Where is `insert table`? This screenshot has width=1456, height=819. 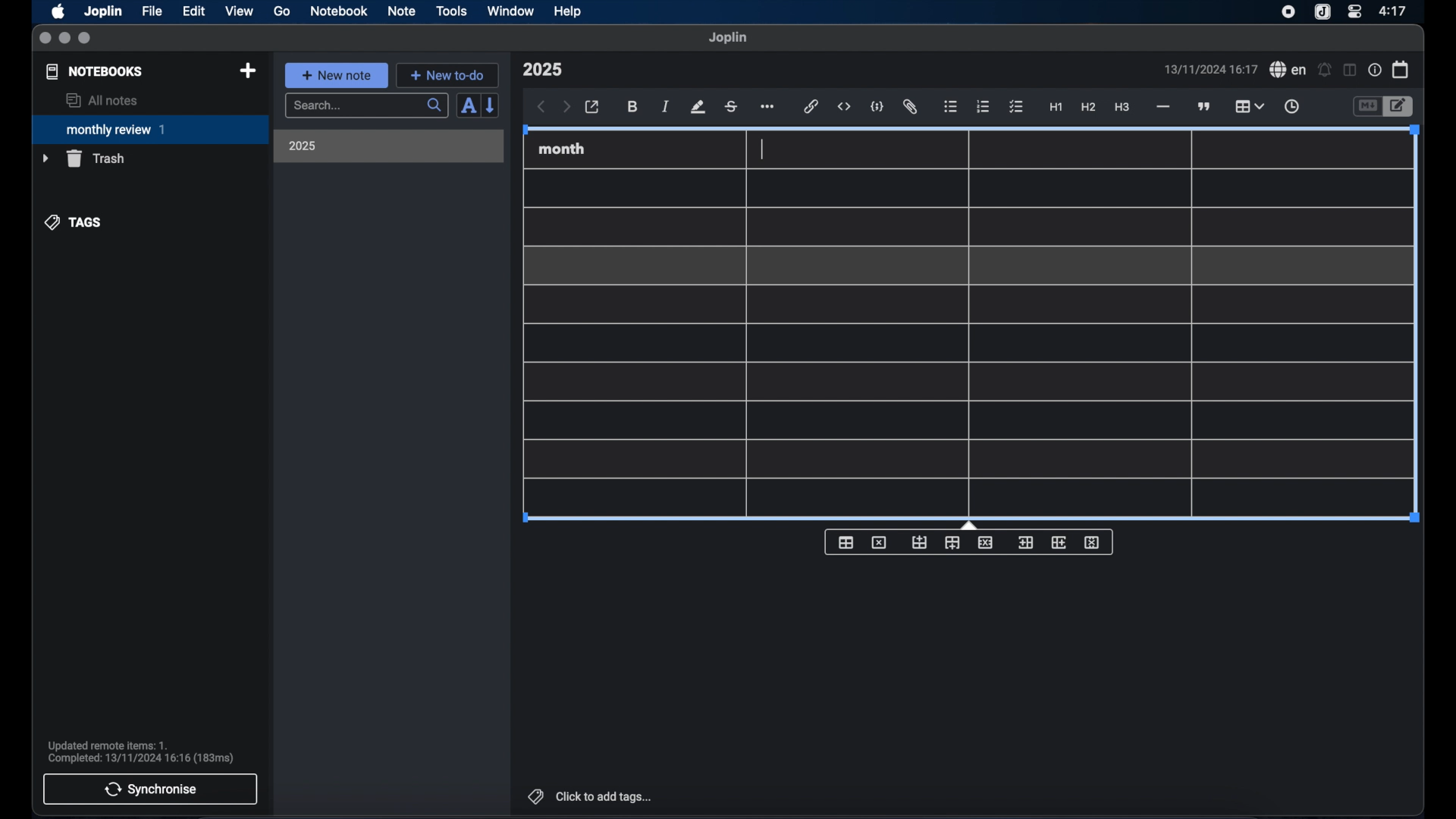 insert table is located at coordinates (846, 542).